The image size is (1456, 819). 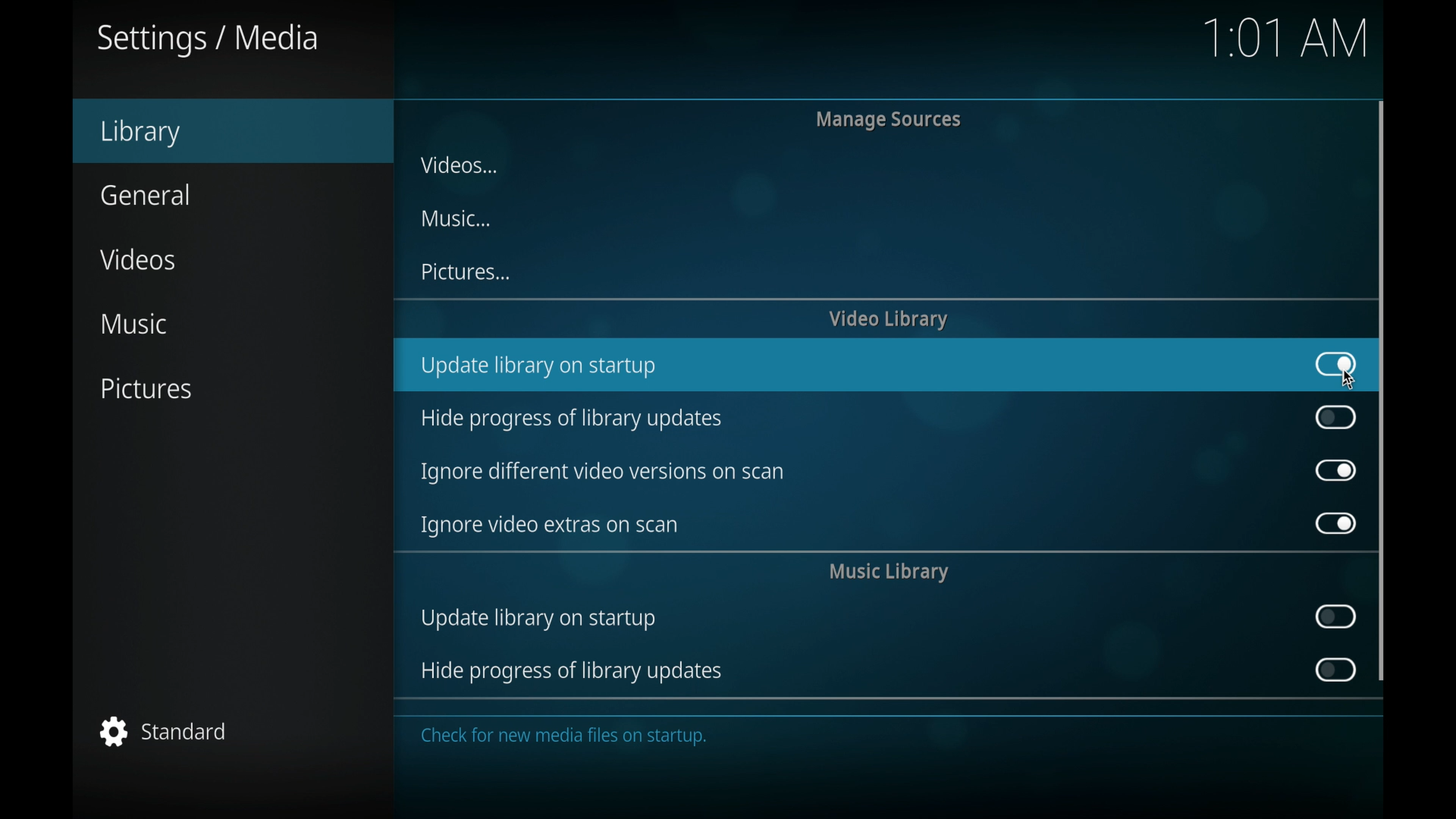 I want to click on update library on  startup, so click(x=538, y=368).